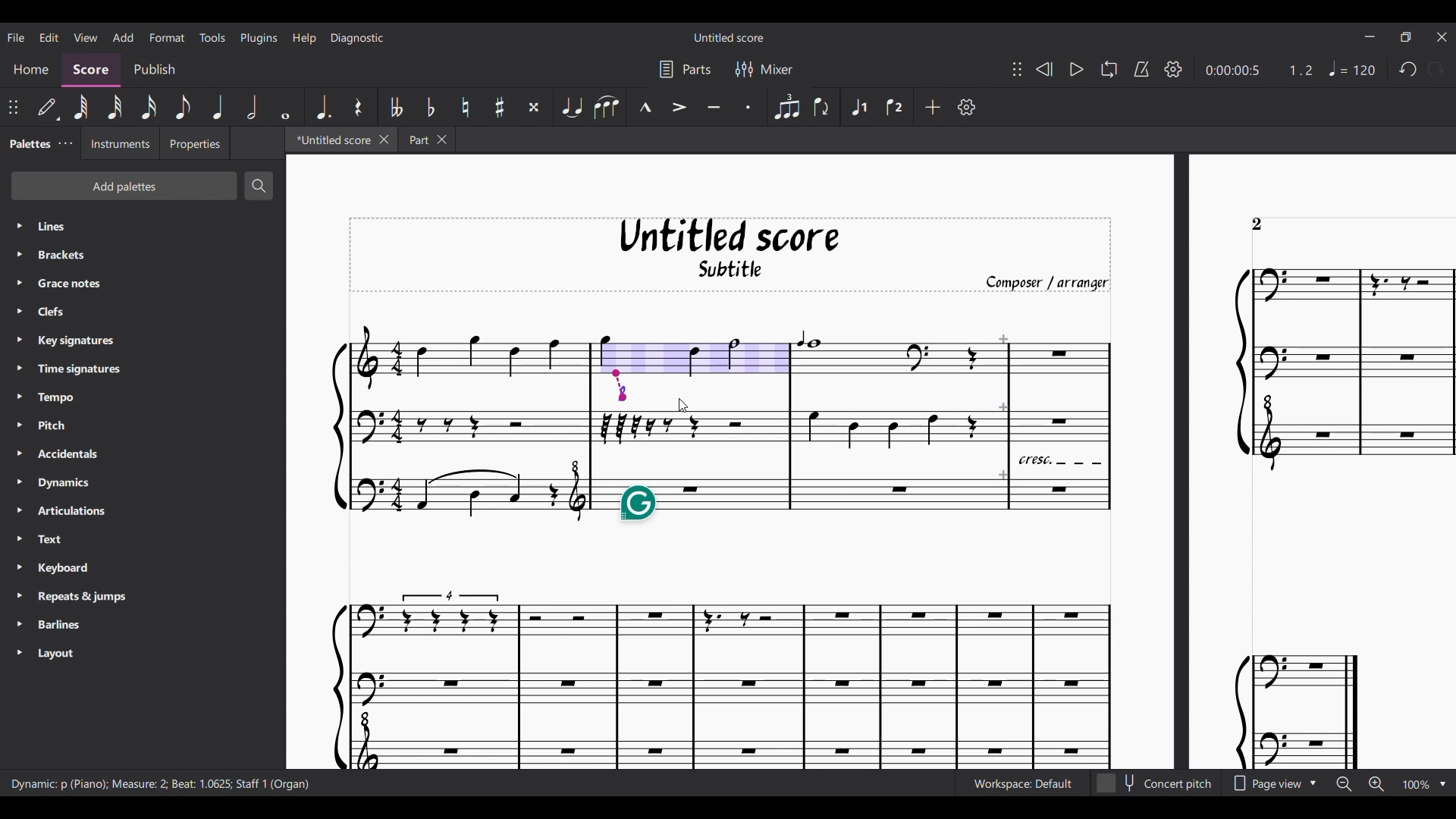 The width and height of the screenshot is (1456, 819). I want to click on Augmentation dot, so click(322, 106).